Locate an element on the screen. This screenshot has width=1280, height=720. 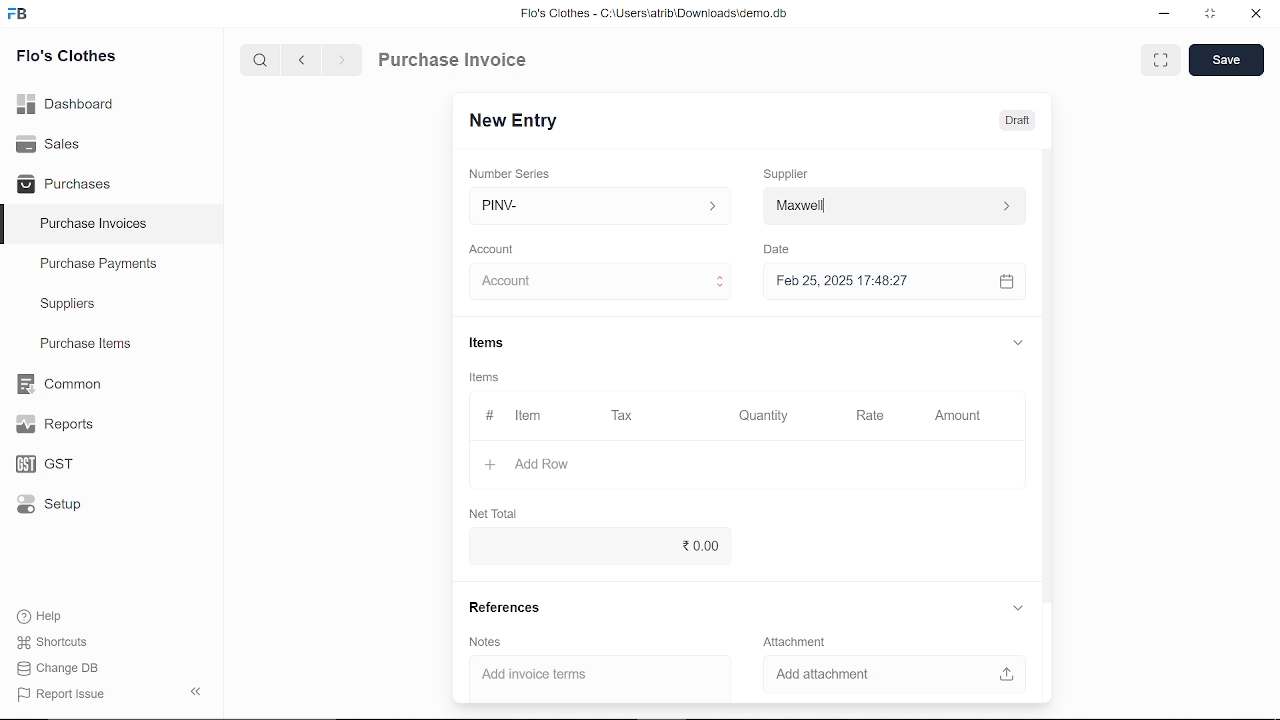
Purchase Invoice is located at coordinates (456, 62).